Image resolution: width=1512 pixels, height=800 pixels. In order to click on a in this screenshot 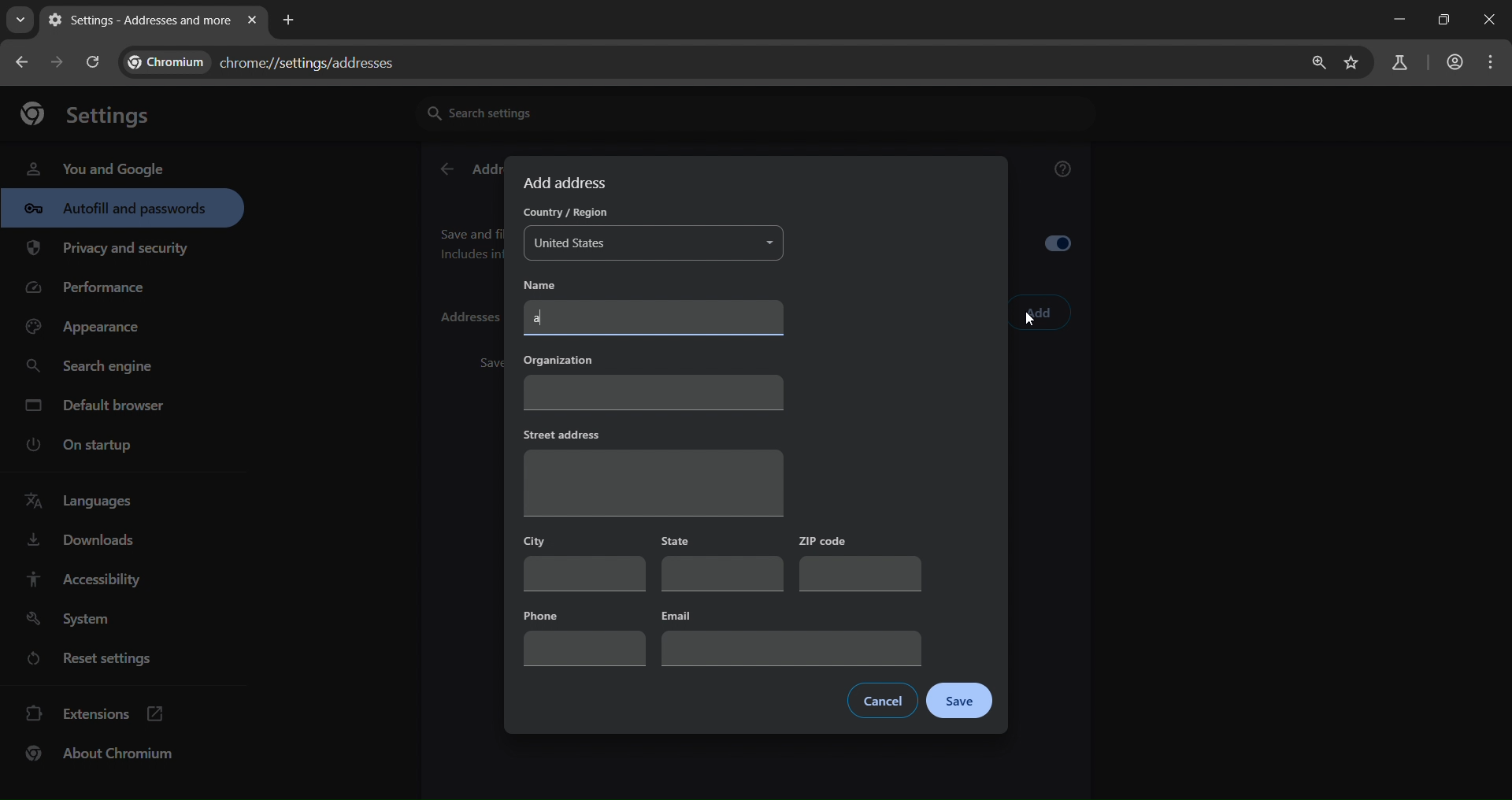, I will do `click(655, 319)`.